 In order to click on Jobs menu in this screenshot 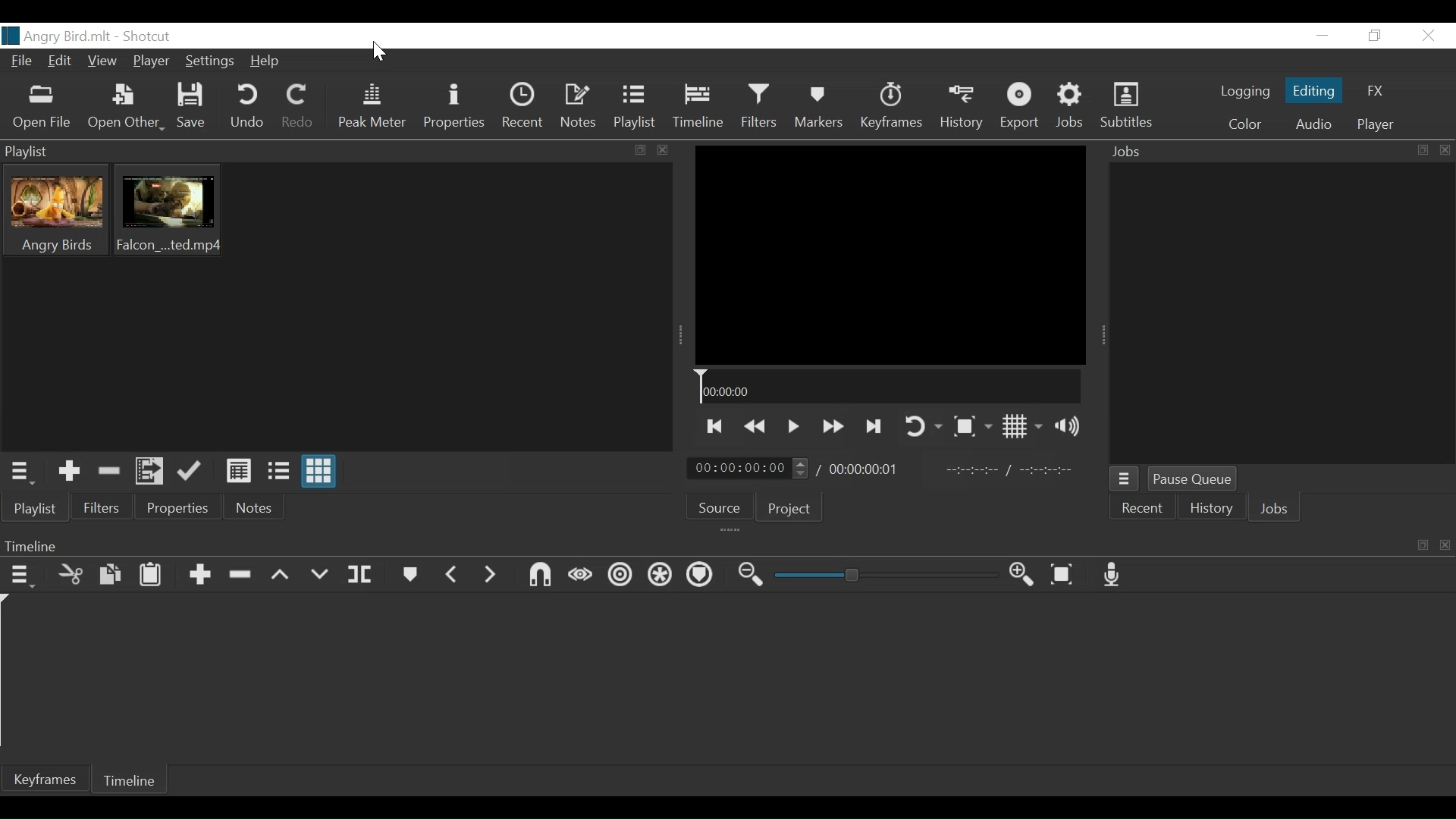, I will do `click(1125, 479)`.